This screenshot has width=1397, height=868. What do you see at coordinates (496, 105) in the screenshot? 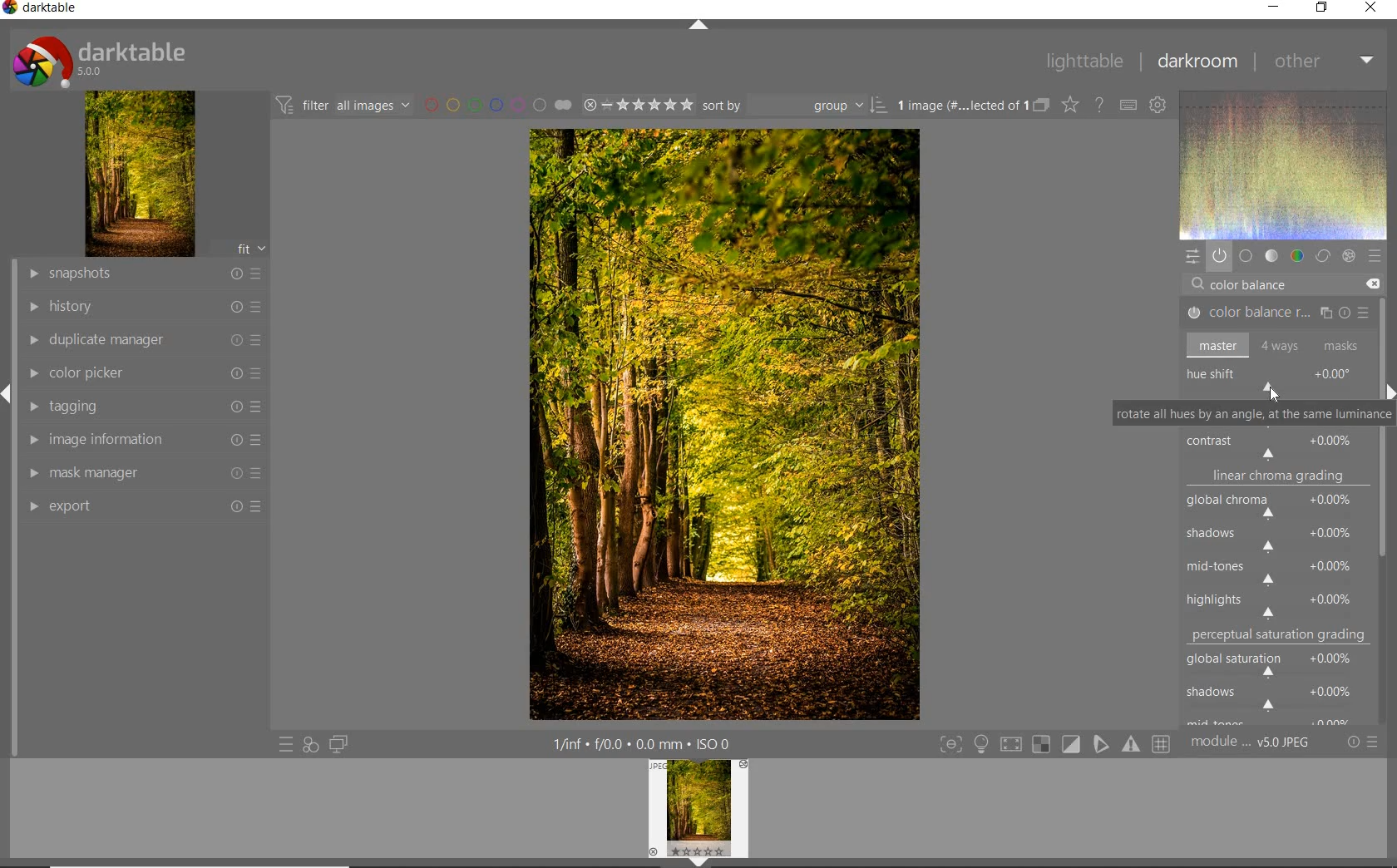
I see `filter by image color label` at bounding box center [496, 105].